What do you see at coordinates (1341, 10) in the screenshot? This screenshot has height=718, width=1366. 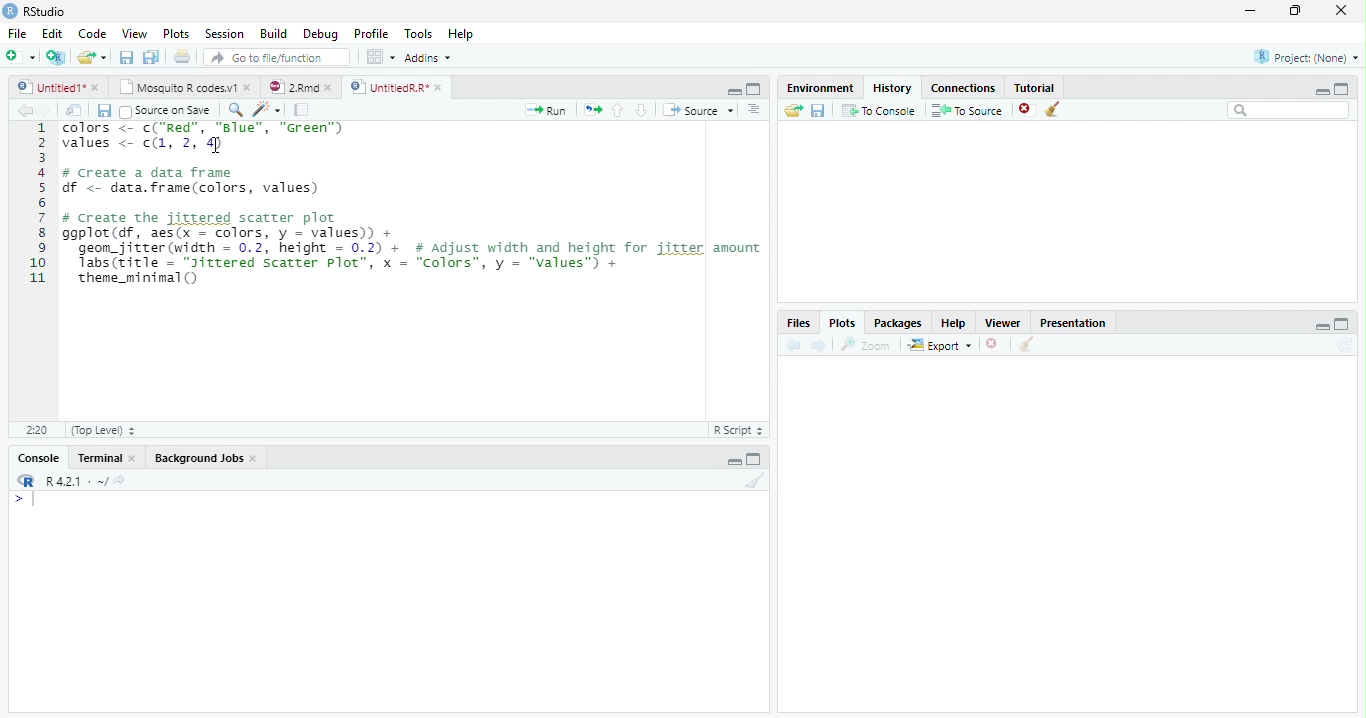 I see `close` at bounding box center [1341, 10].